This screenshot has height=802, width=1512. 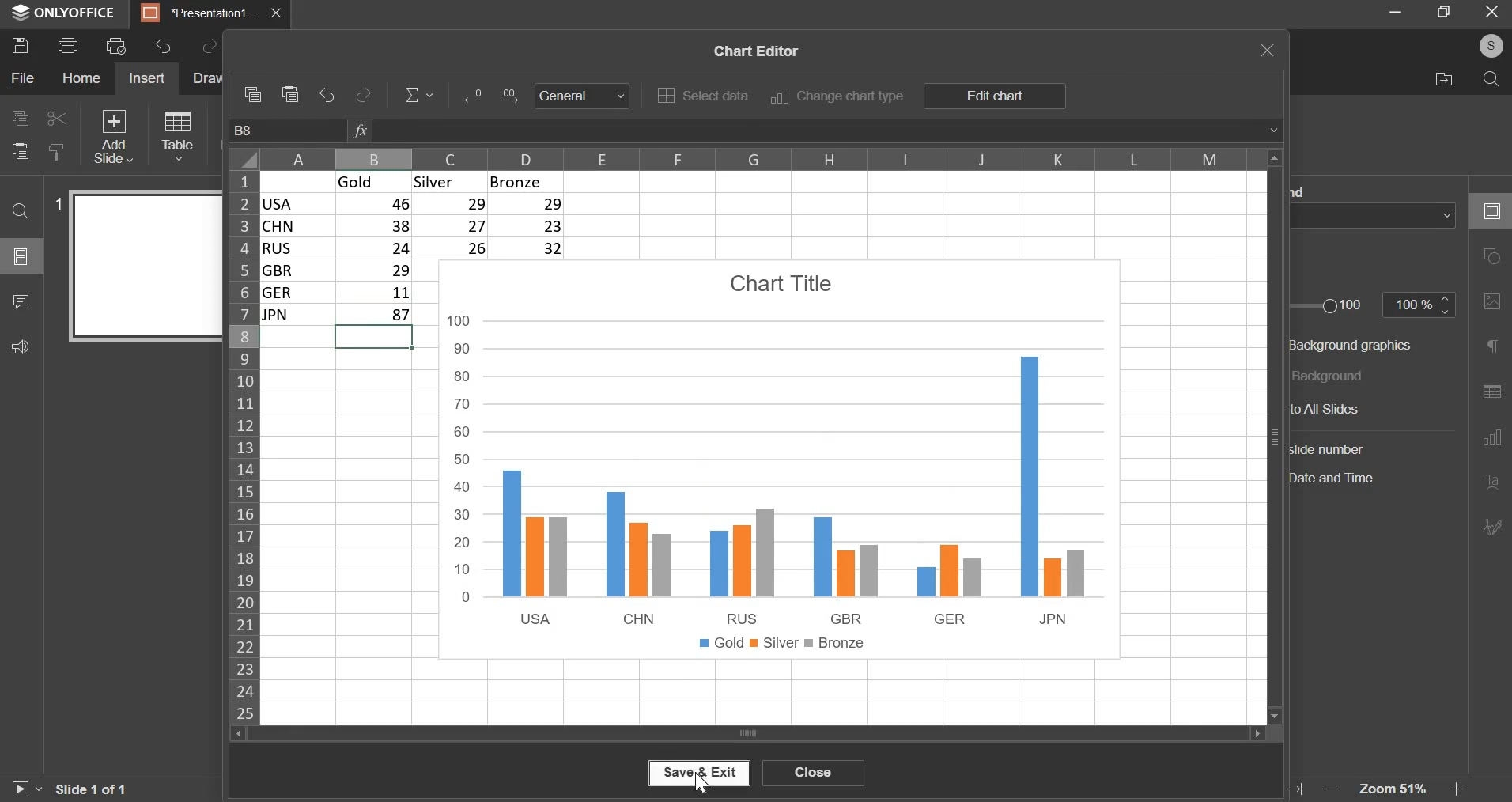 I want to click on print, so click(x=67, y=46).